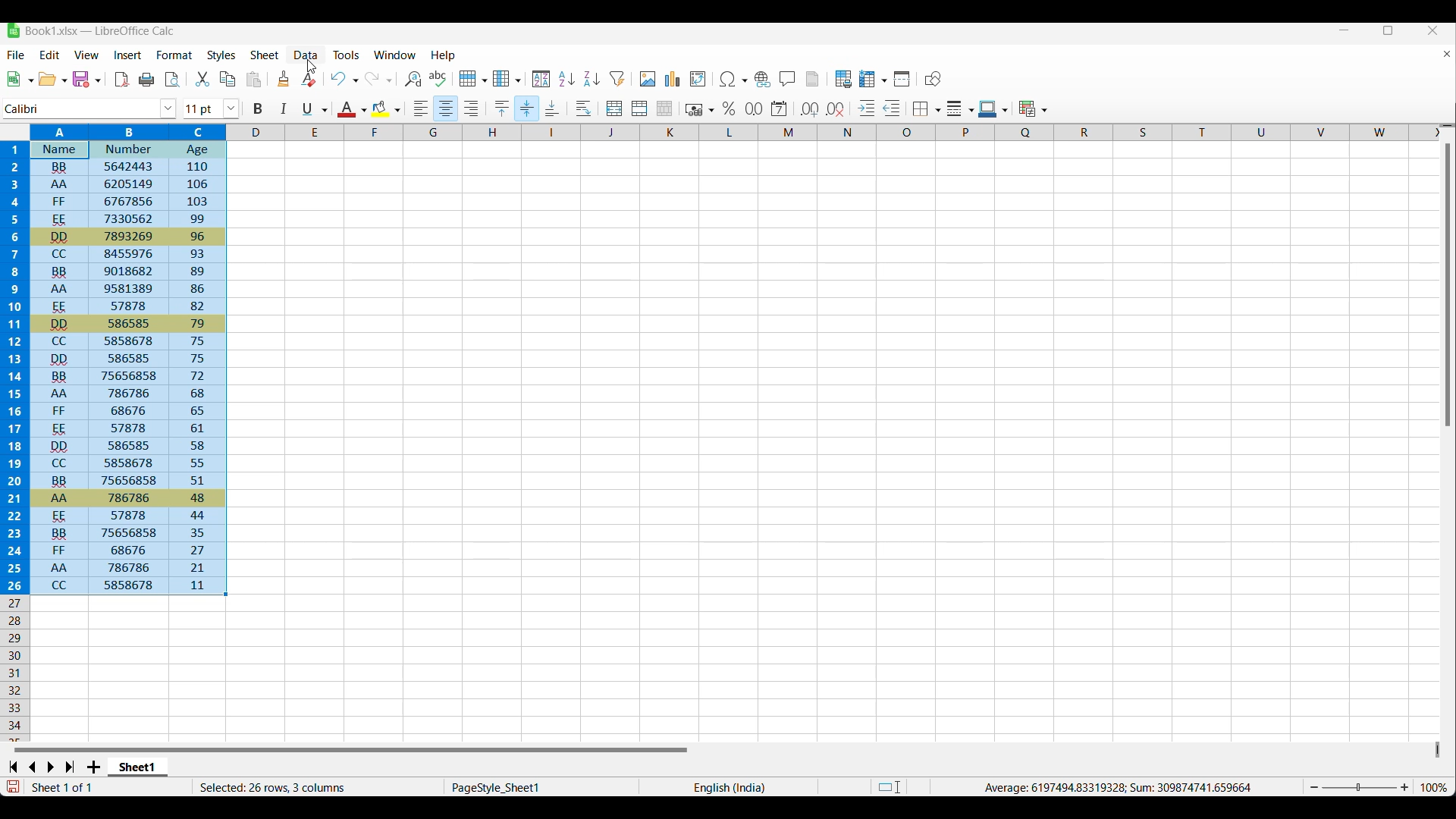  Describe the element at coordinates (395, 55) in the screenshot. I see `Window menu` at that location.